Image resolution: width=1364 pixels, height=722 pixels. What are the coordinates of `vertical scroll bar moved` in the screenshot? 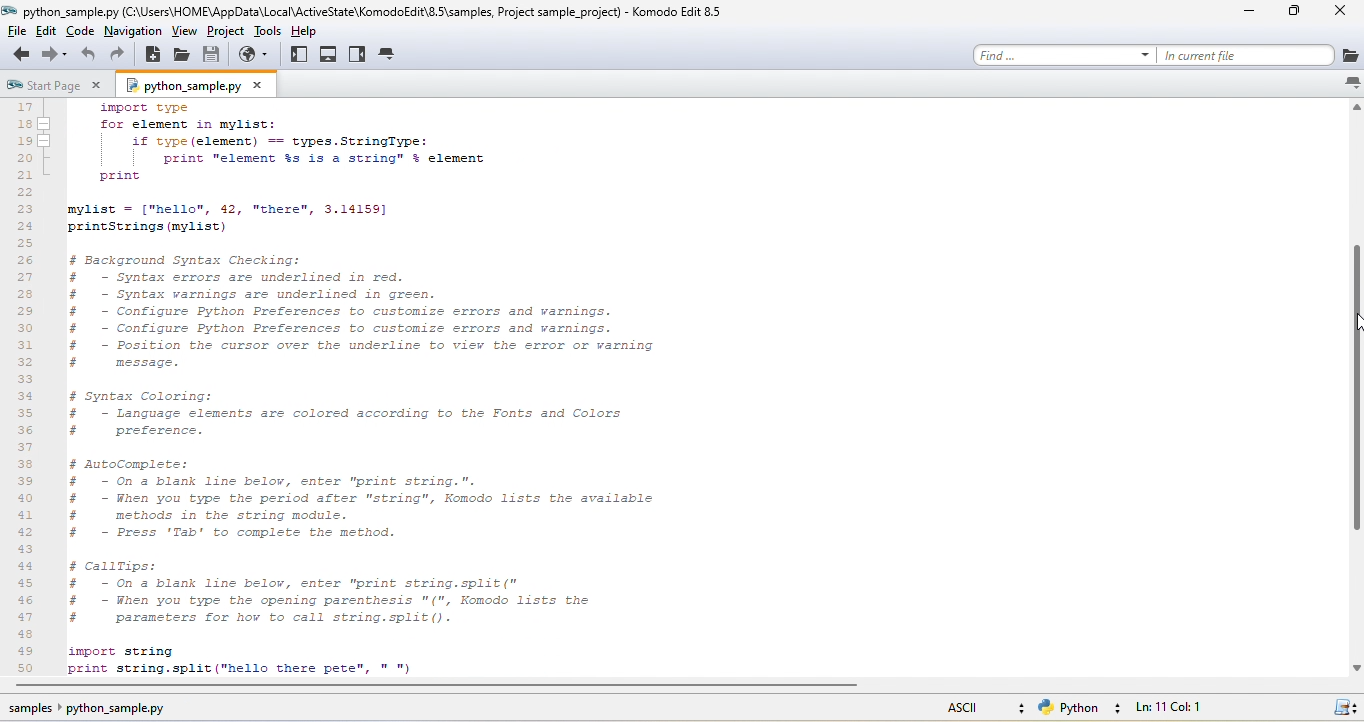 It's located at (1355, 387).